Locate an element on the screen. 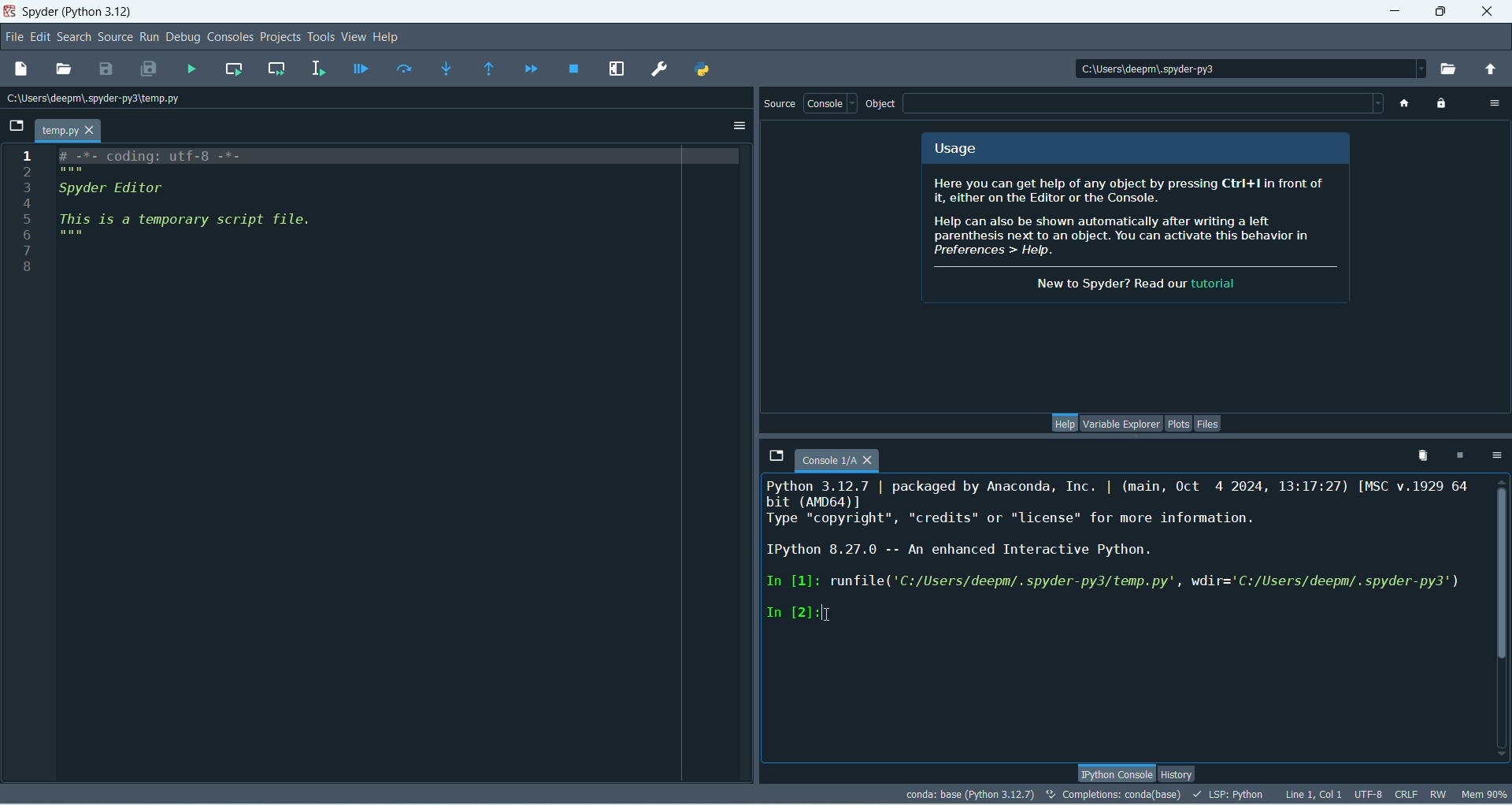 The height and width of the screenshot is (805, 1512). close is located at coordinates (1486, 11).